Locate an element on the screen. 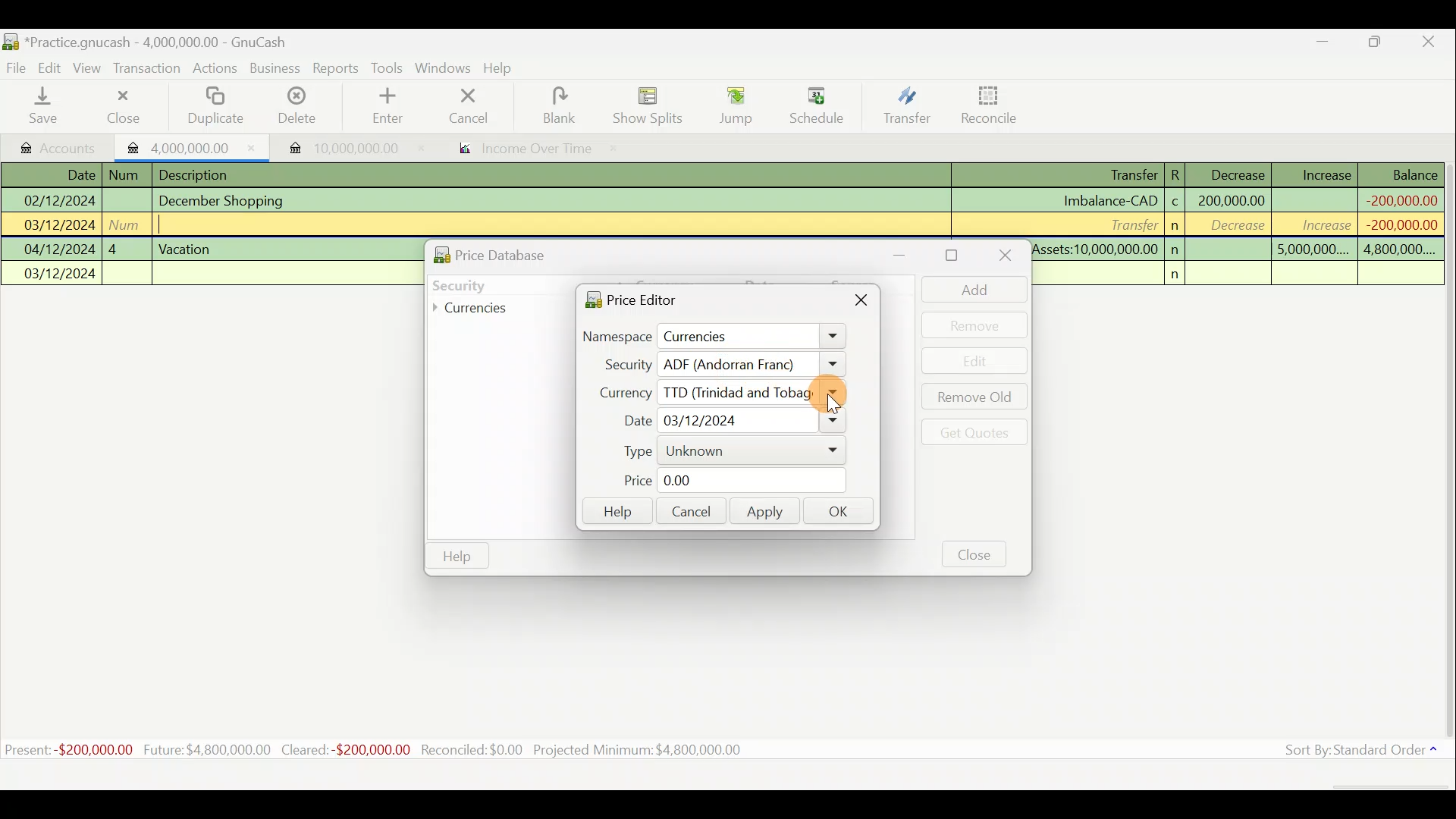 The width and height of the screenshot is (1456, 819). Document name is located at coordinates (145, 39).